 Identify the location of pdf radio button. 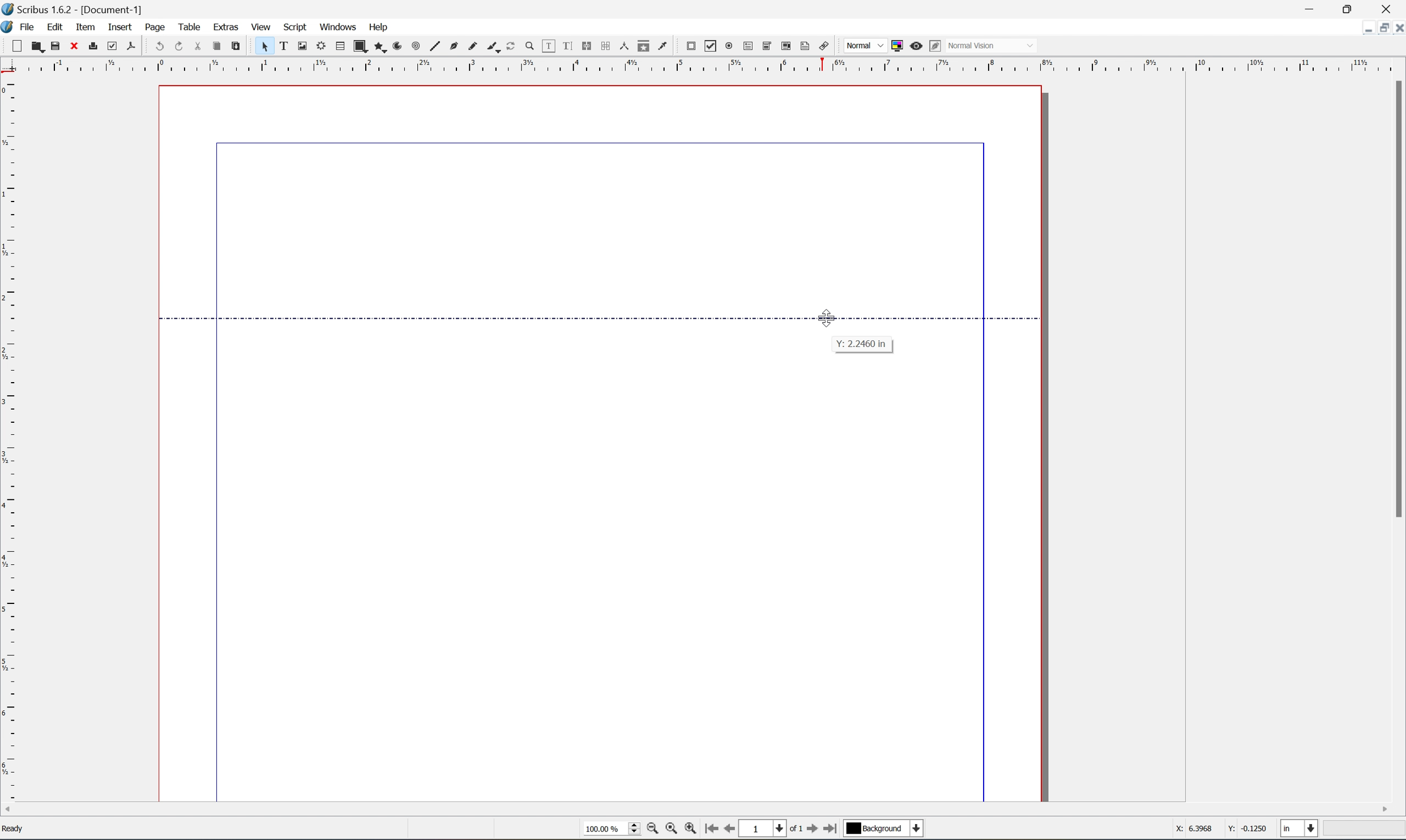
(730, 46).